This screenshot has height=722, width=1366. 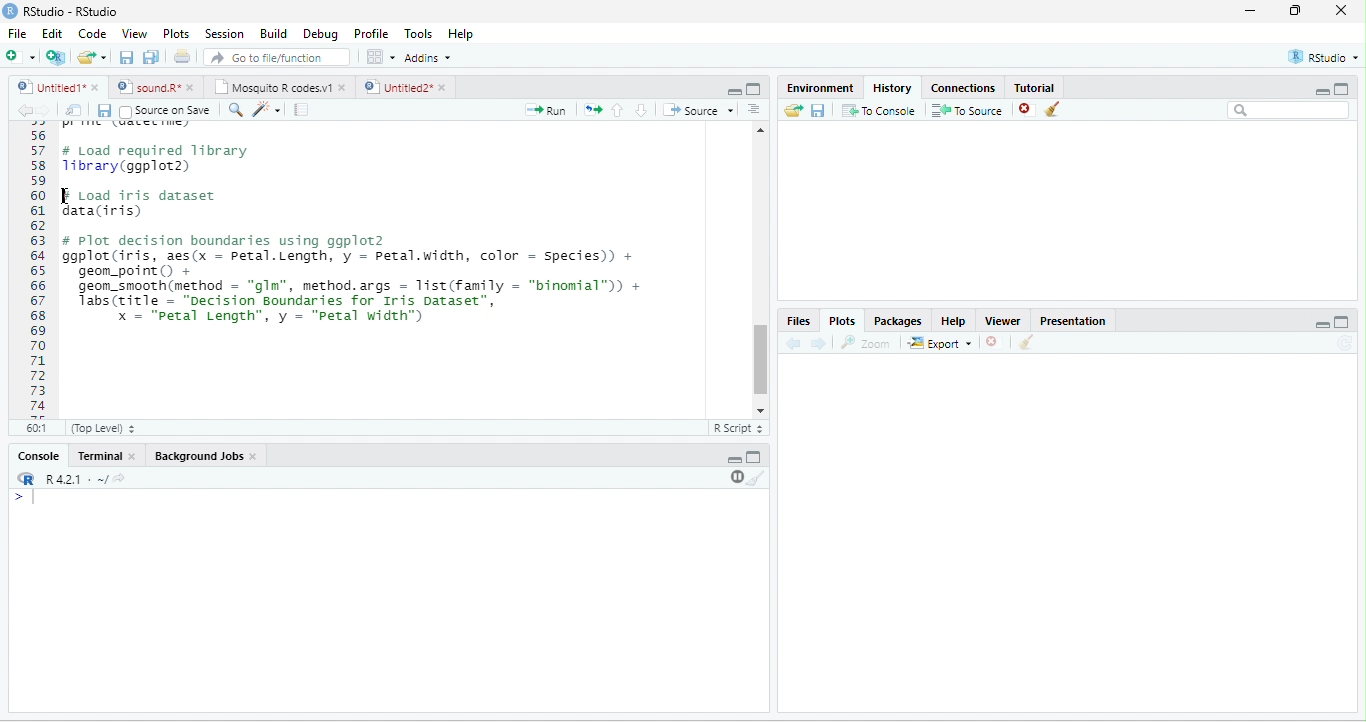 What do you see at coordinates (254, 456) in the screenshot?
I see `close` at bounding box center [254, 456].